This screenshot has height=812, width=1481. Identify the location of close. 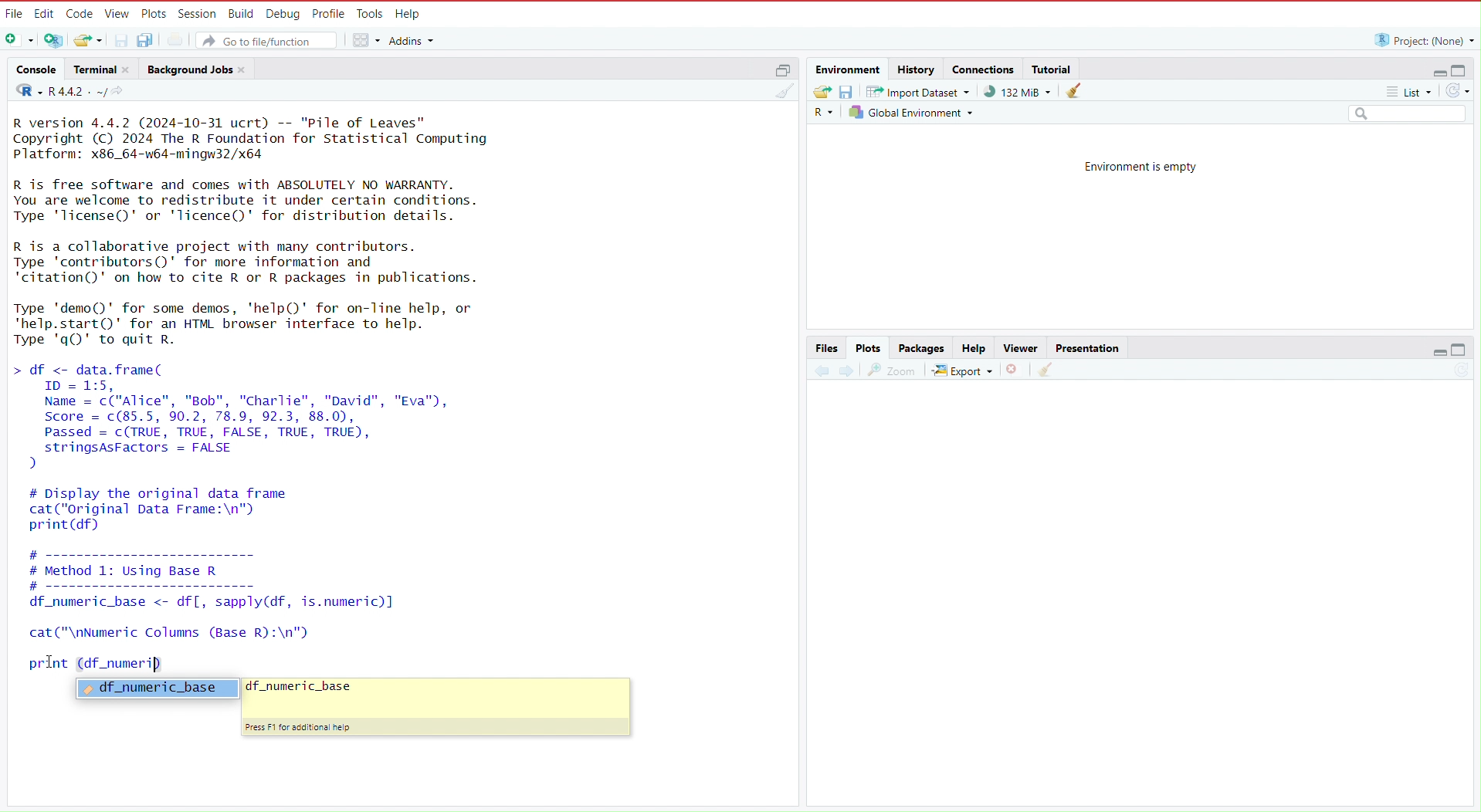
(247, 69).